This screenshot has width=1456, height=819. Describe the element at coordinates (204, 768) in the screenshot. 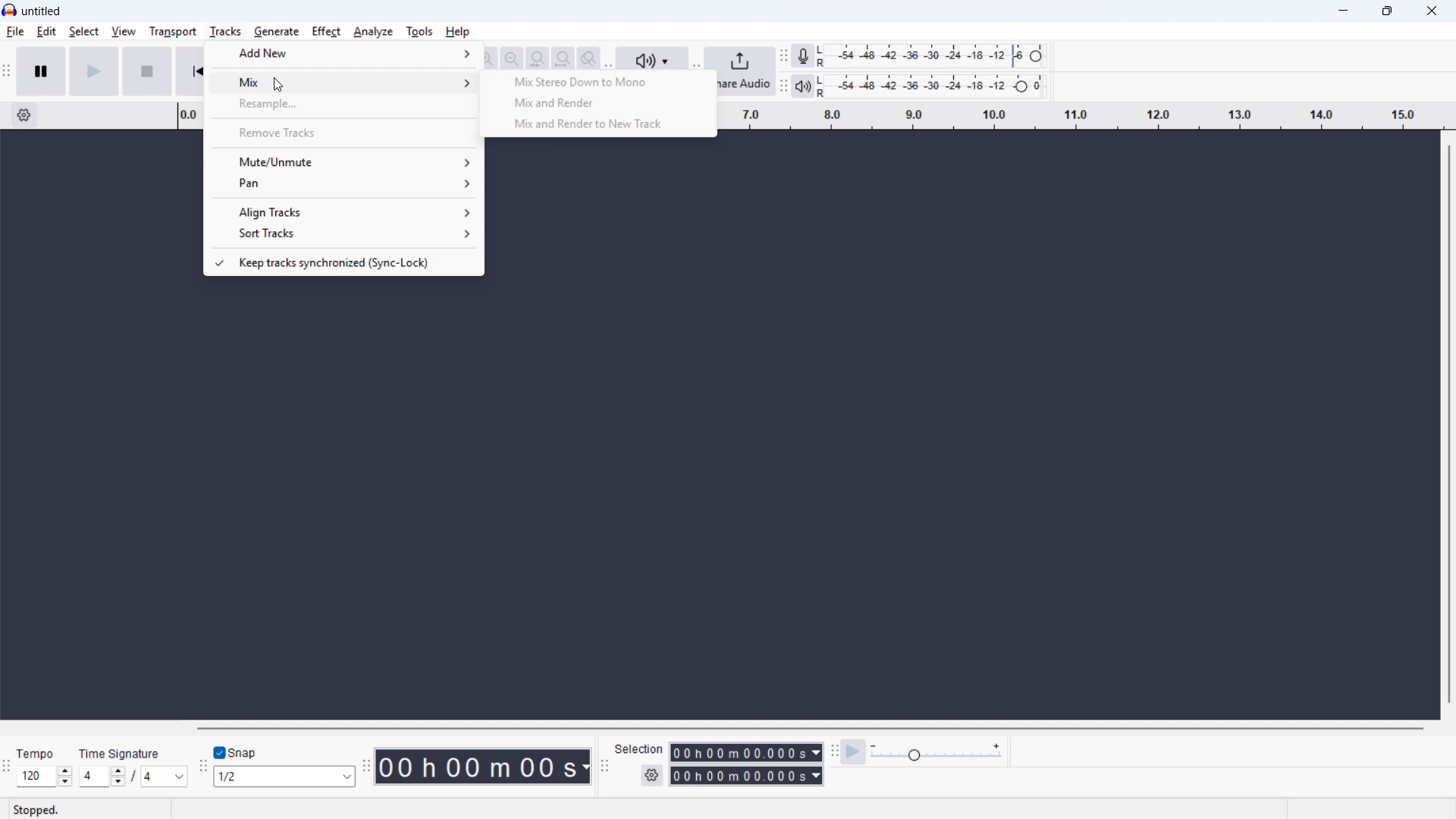

I see `Snapping toolbar` at that location.